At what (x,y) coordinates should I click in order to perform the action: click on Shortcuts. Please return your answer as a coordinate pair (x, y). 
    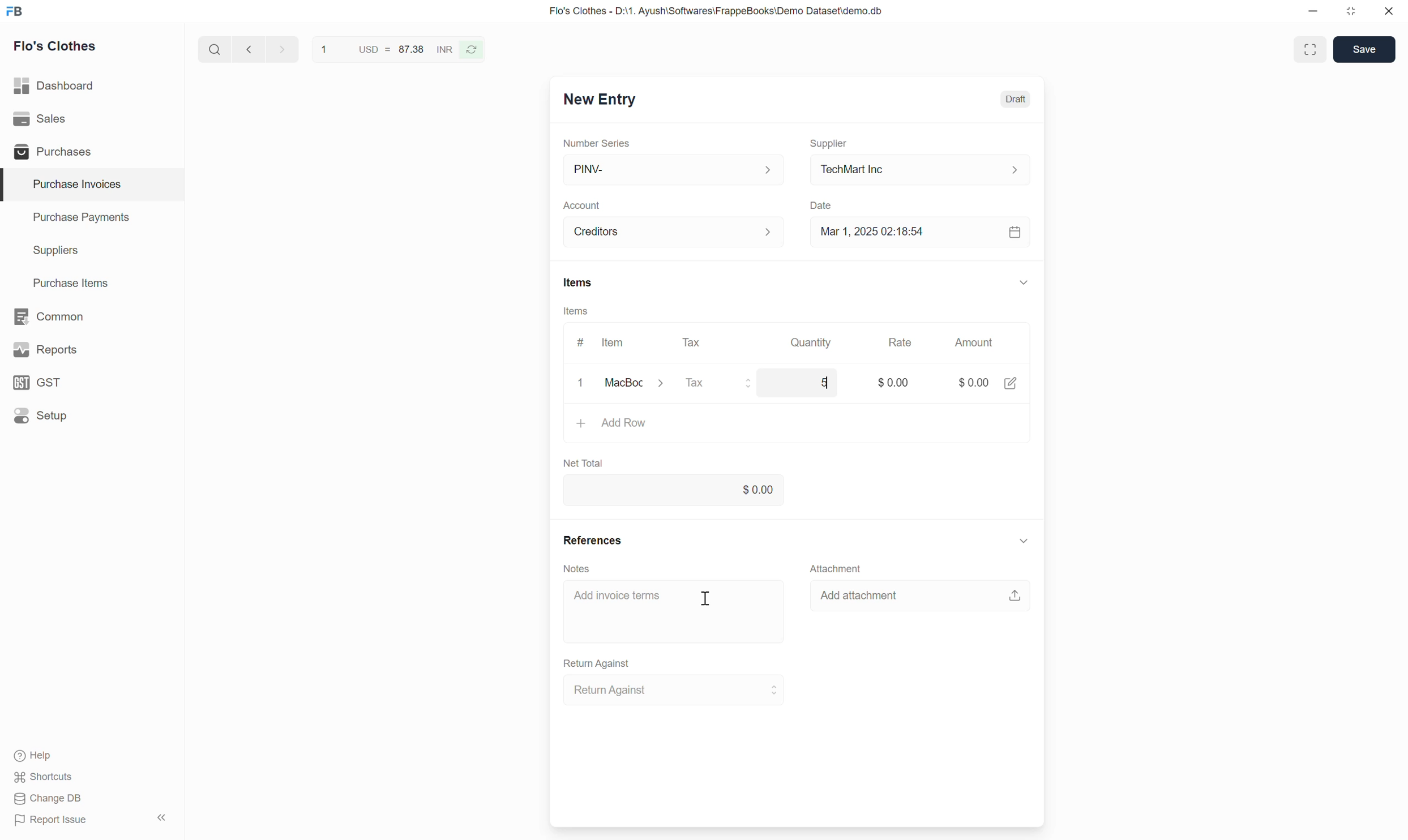
    Looking at the image, I should click on (44, 777).